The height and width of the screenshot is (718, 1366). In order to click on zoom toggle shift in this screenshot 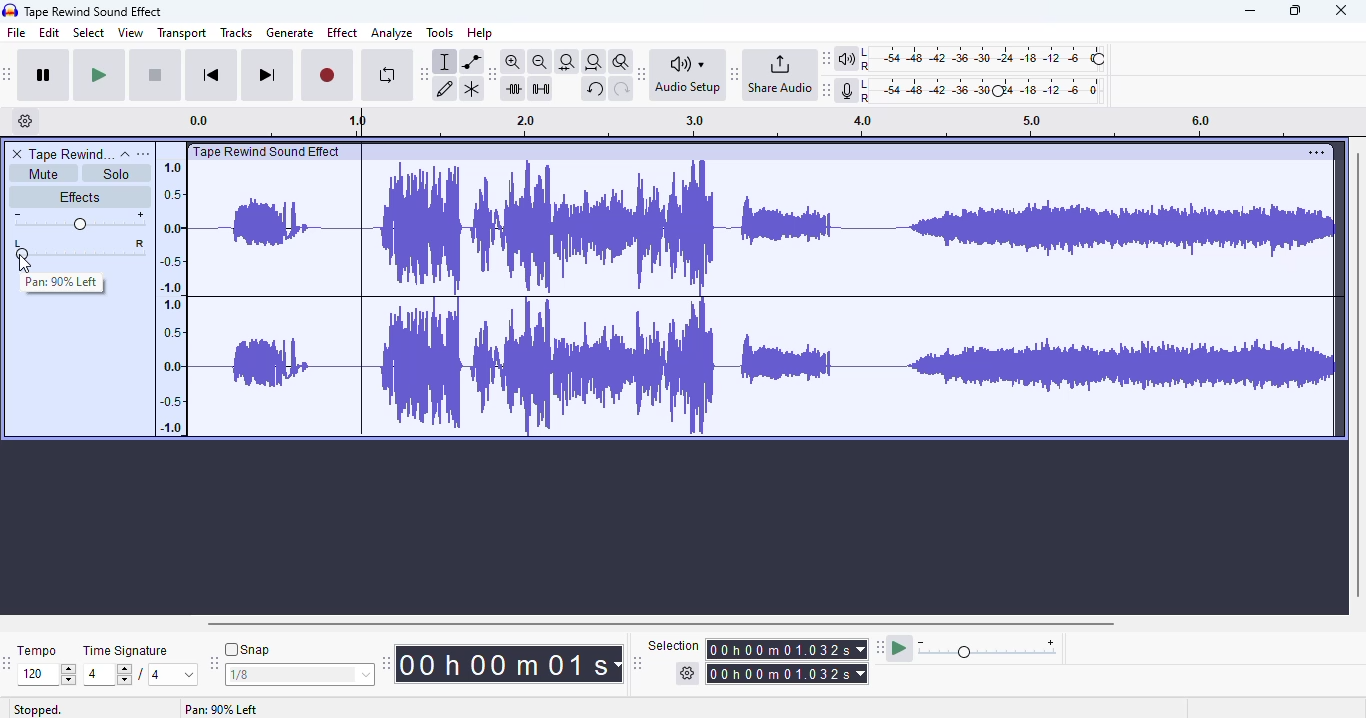, I will do `click(622, 62)`.